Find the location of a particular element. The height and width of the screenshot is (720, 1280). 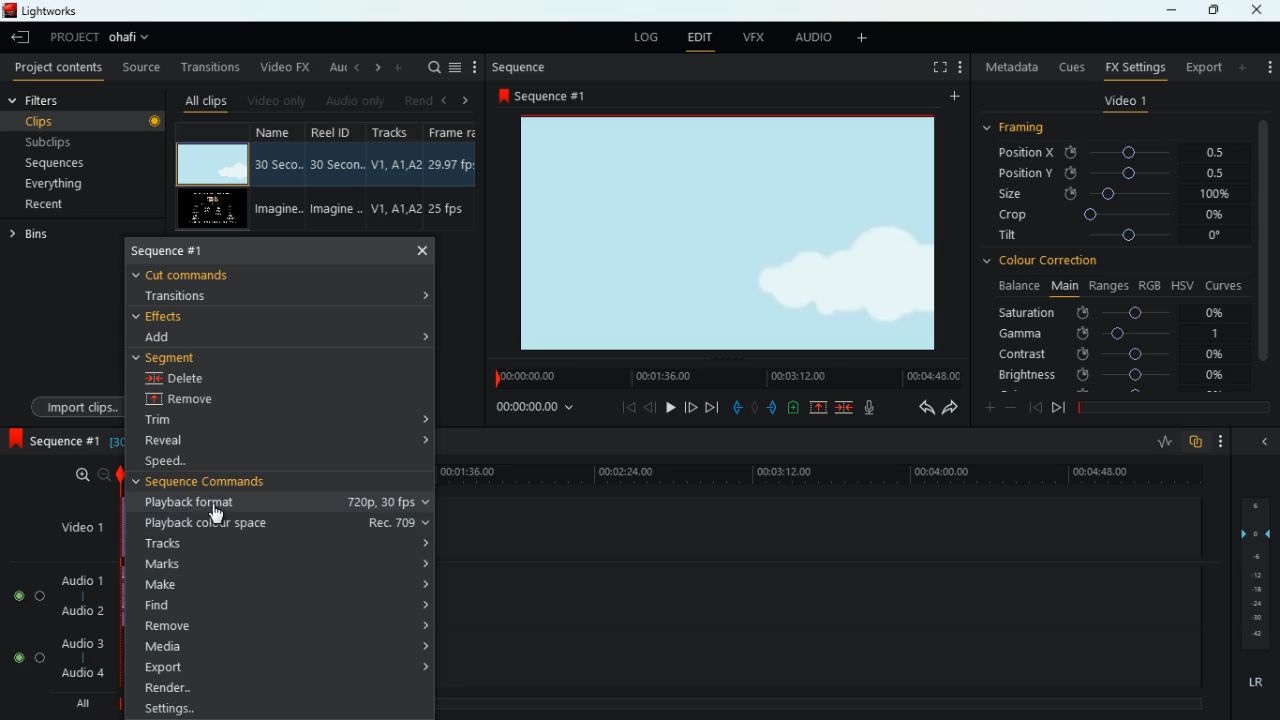

timeline is located at coordinates (834, 705).